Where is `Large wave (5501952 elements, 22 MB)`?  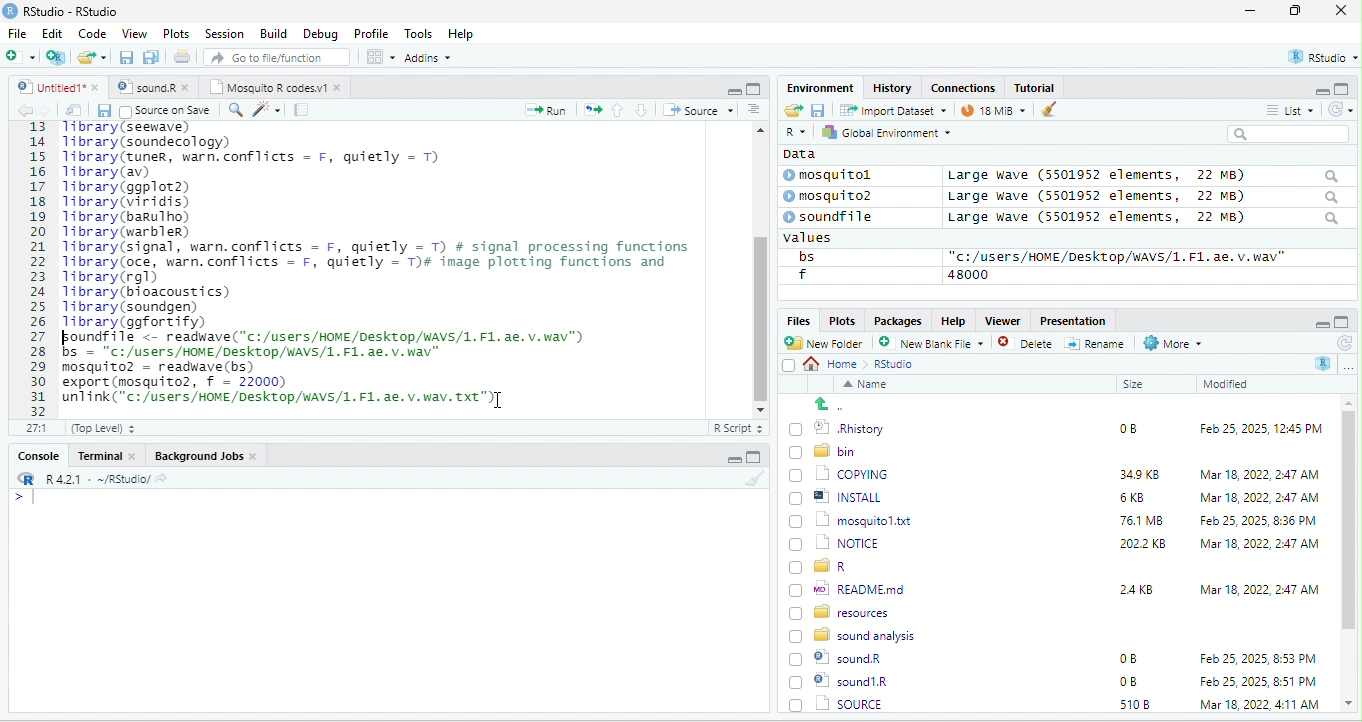 Large wave (5501952 elements, 22 MB) is located at coordinates (1142, 175).